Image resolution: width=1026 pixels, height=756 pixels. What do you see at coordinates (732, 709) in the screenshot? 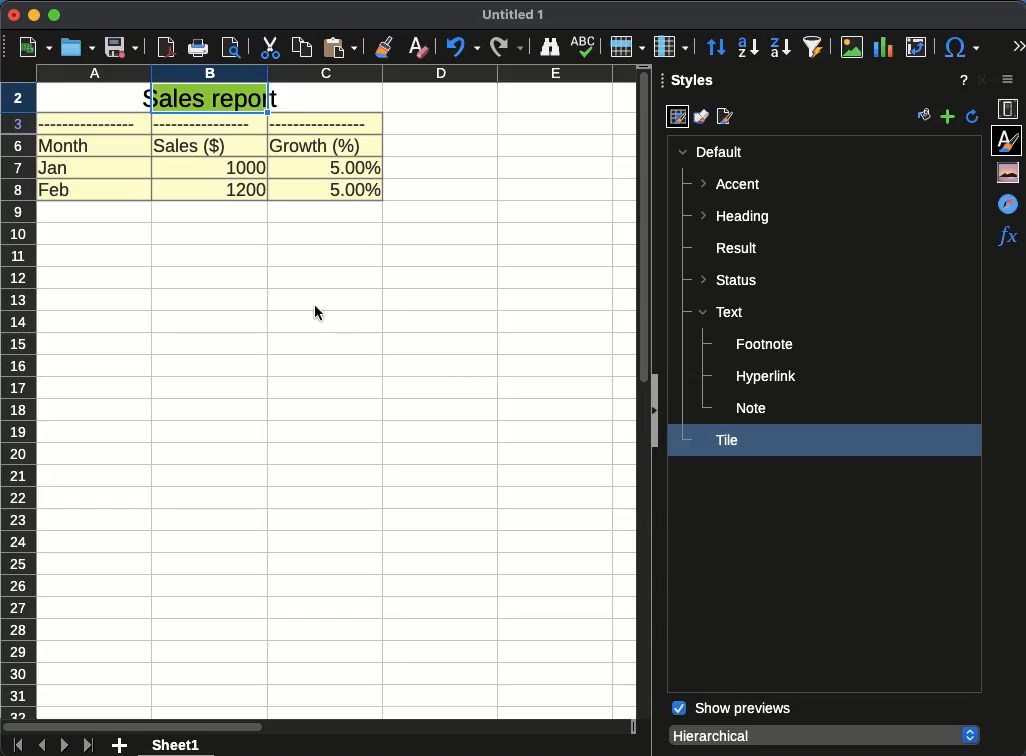
I see `show previews` at bounding box center [732, 709].